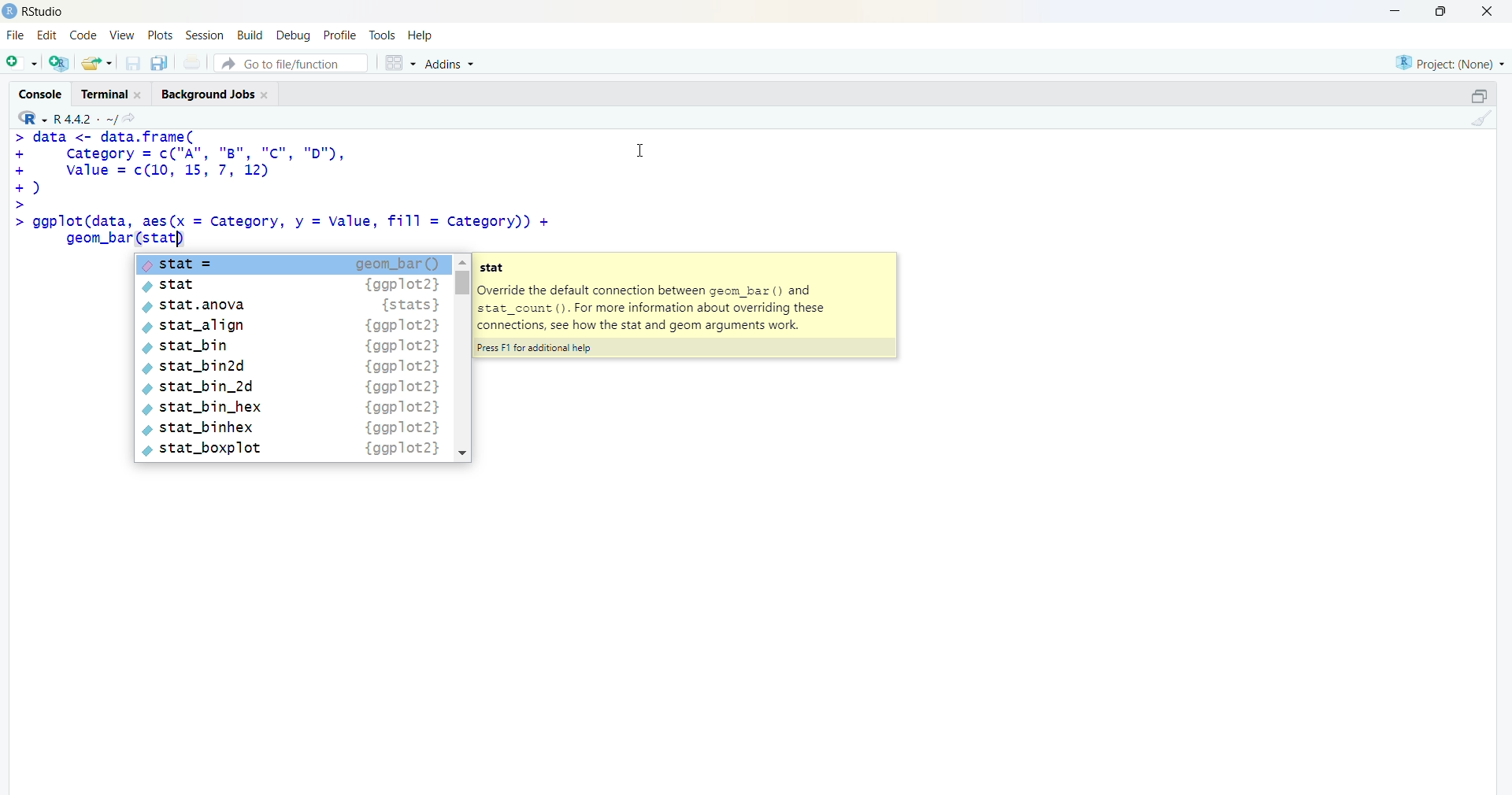  I want to click on debug, so click(294, 35).